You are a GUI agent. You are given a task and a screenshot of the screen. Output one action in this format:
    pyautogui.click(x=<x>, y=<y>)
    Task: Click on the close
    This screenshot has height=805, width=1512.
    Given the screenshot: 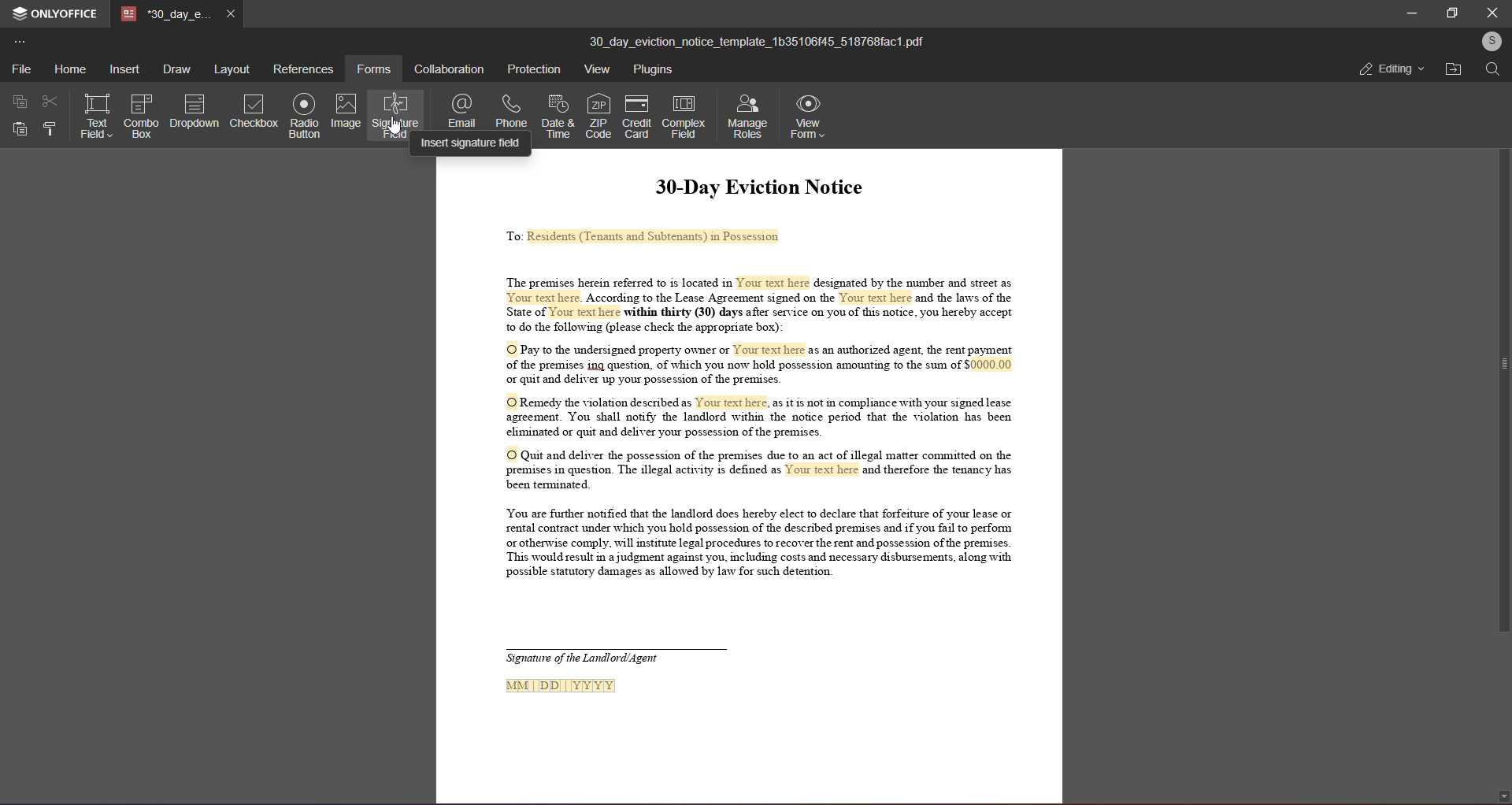 What is the action you would take?
    pyautogui.click(x=1492, y=11)
    